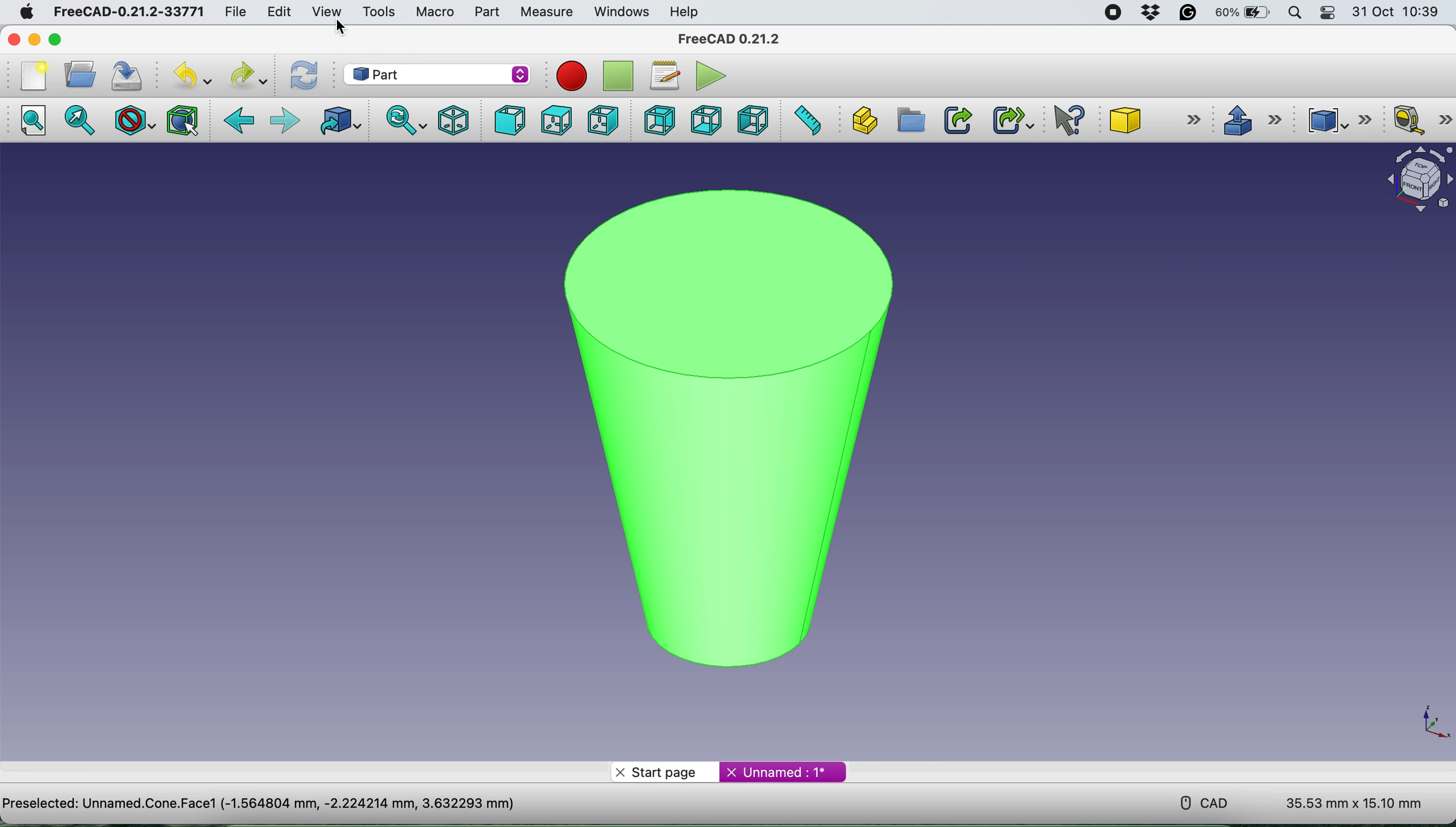 The width and height of the screenshot is (1456, 827). I want to click on mesure linear, so click(1418, 122).